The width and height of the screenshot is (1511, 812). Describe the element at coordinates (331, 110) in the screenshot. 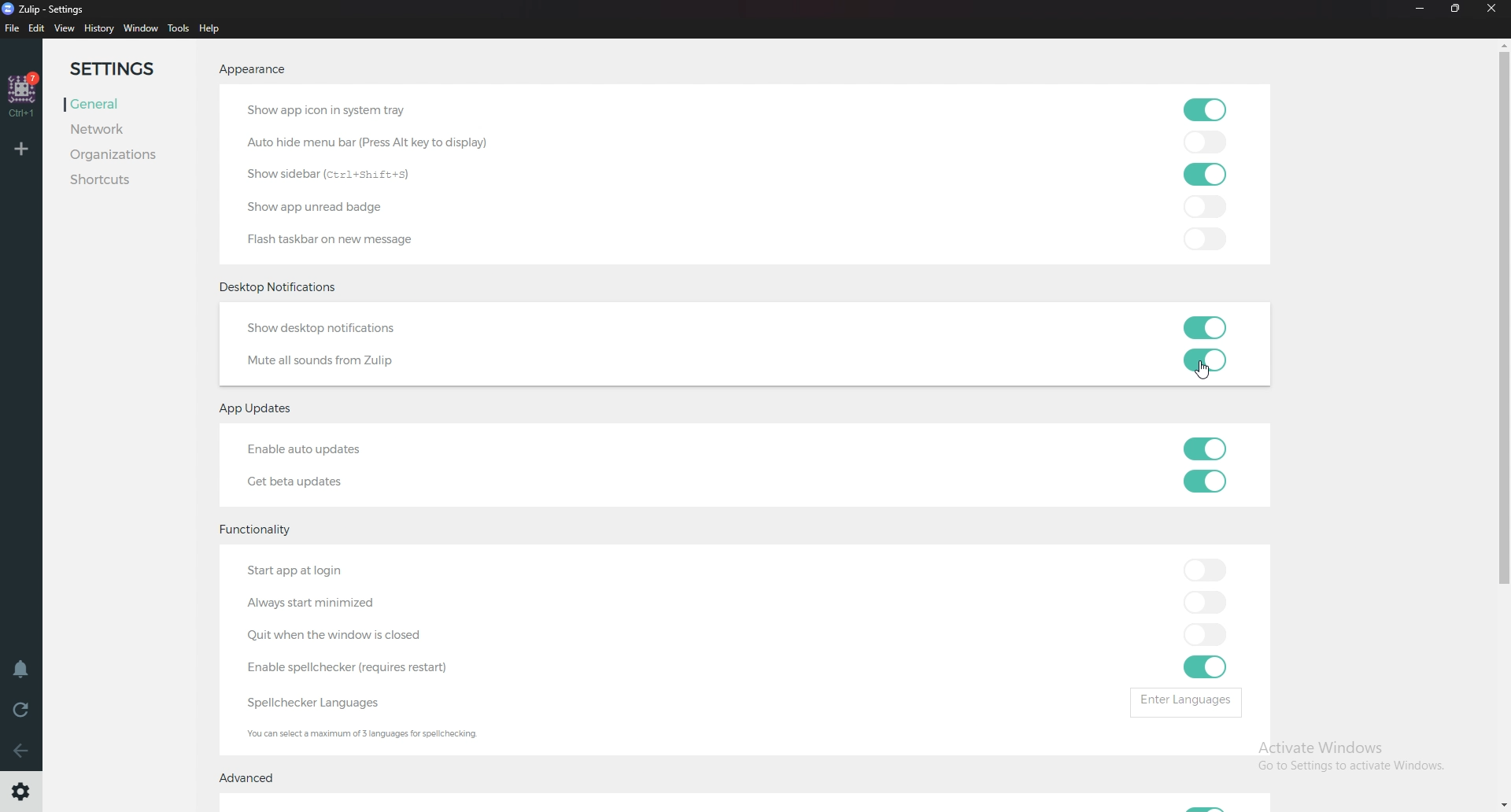

I see `Show app icon in system tray` at that location.